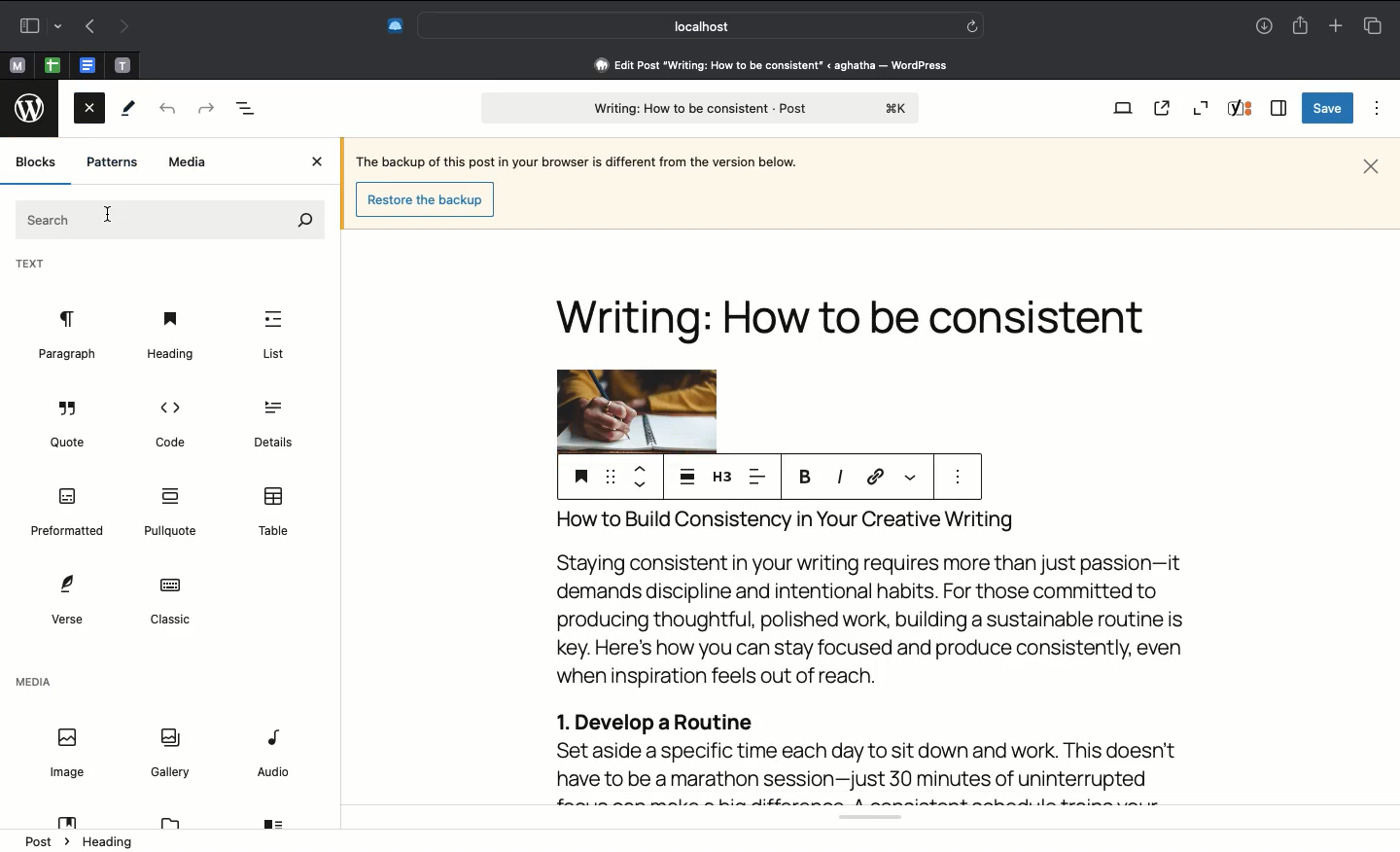 The image size is (1400, 852). Describe the element at coordinates (33, 685) in the screenshot. I see `Media` at that location.